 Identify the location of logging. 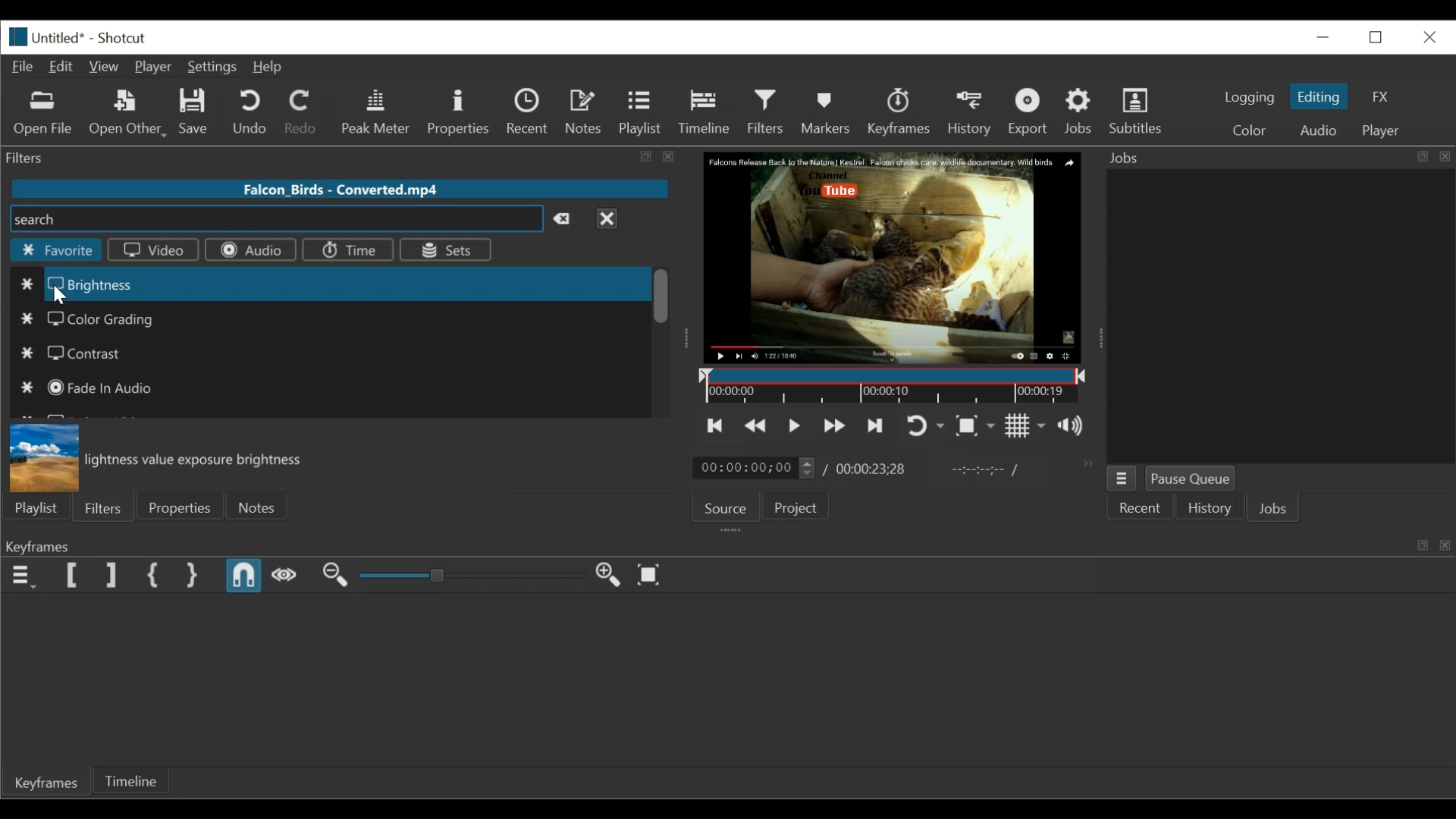
(1248, 99).